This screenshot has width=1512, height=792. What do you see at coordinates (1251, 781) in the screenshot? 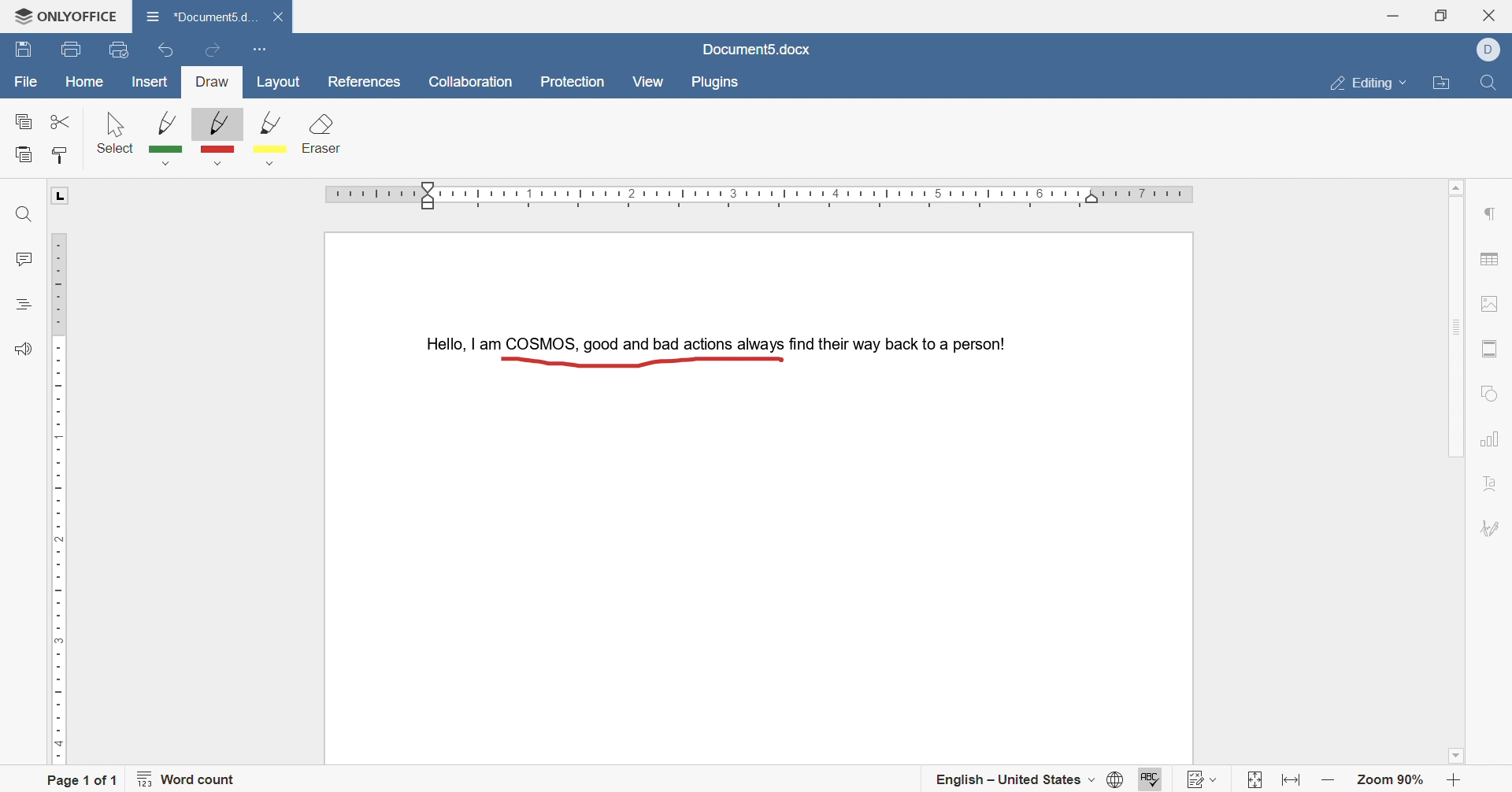
I see `fit to page` at bounding box center [1251, 781].